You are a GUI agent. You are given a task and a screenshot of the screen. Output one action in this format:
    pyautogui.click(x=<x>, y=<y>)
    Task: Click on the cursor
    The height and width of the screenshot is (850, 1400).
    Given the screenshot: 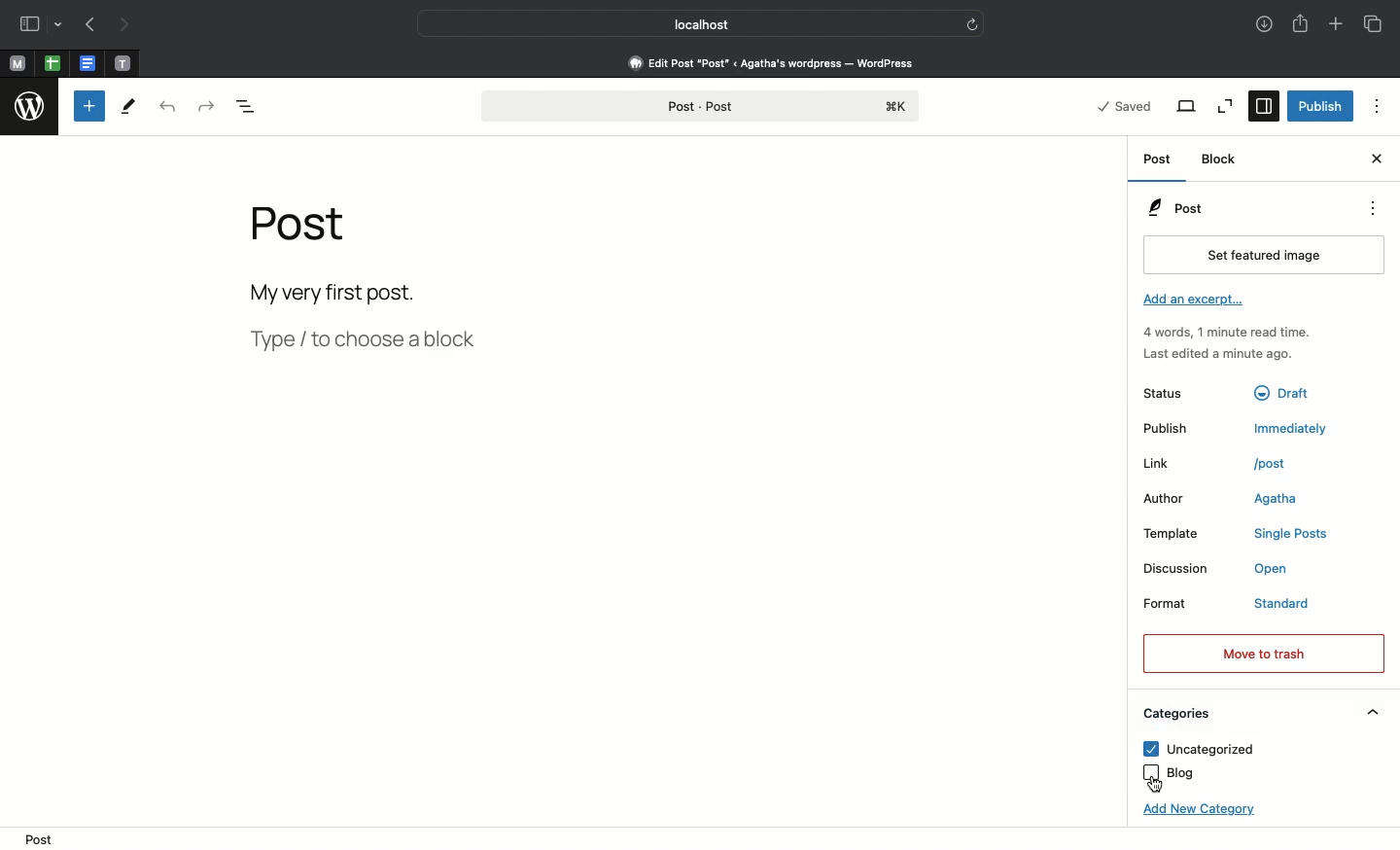 What is the action you would take?
    pyautogui.click(x=1156, y=785)
    